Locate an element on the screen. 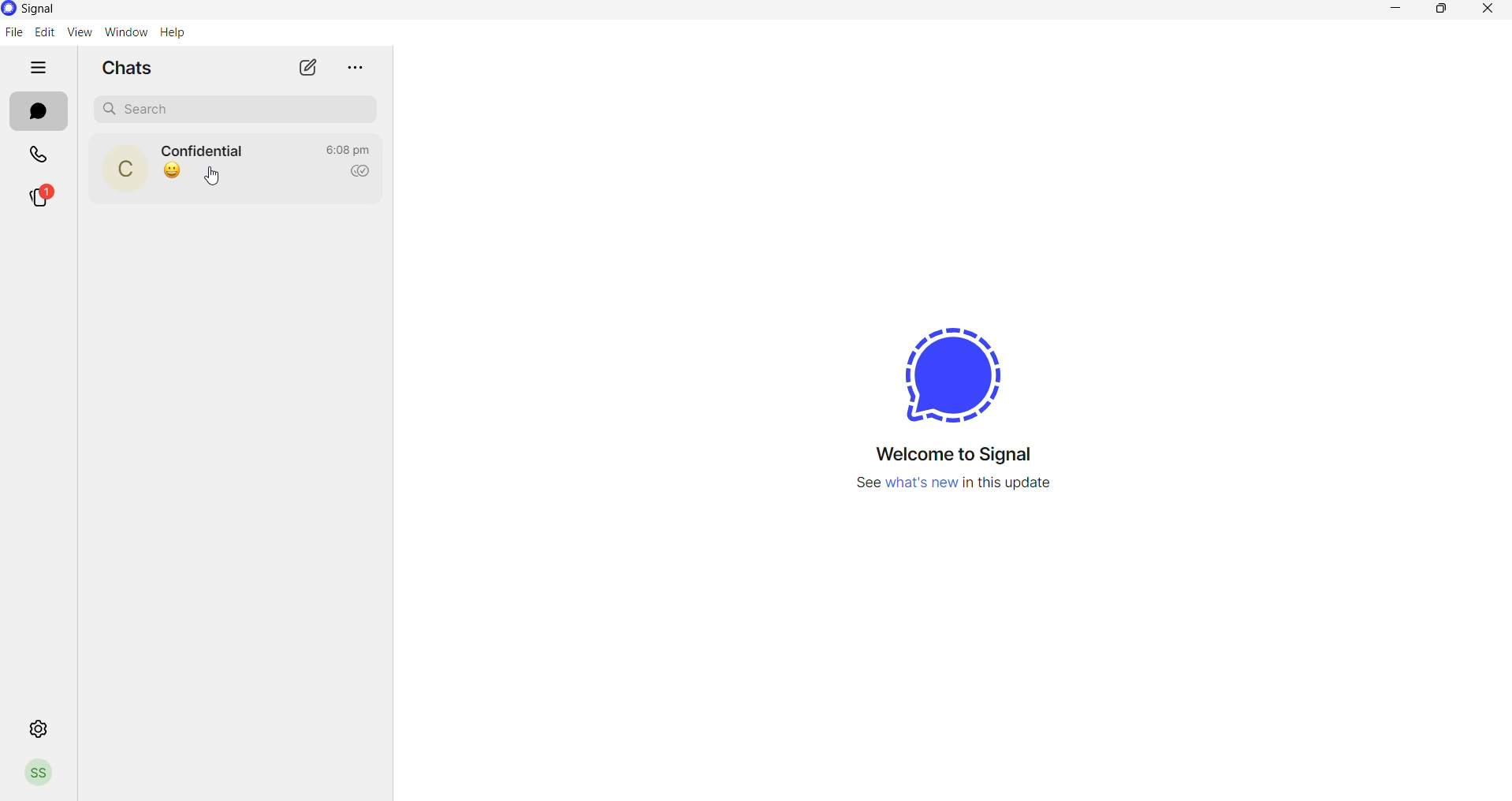 Image resolution: width=1512 pixels, height=801 pixels. read recipient is located at coordinates (364, 172).